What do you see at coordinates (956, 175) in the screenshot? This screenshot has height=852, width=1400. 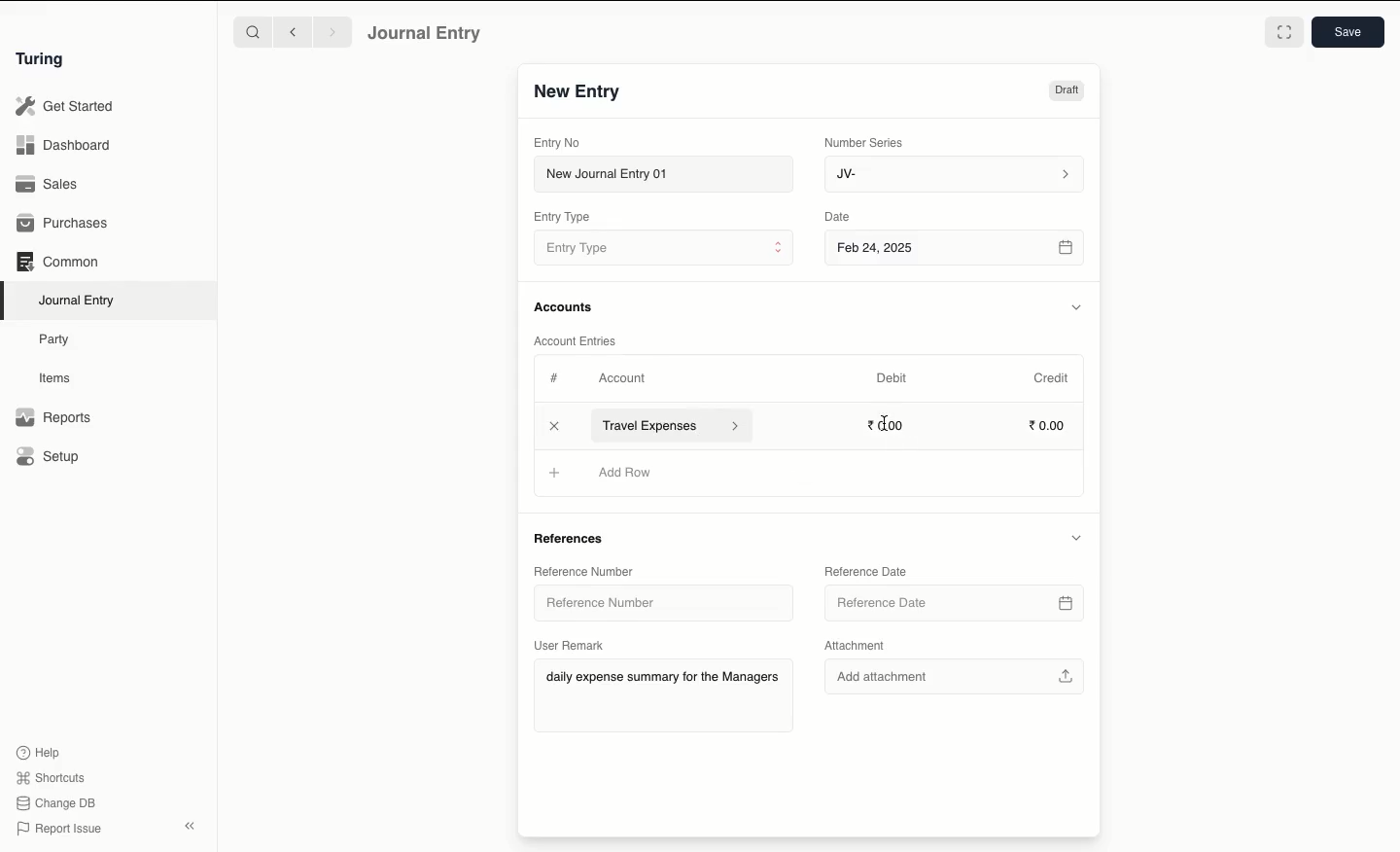 I see `JV-` at bounding box center [956, 175].